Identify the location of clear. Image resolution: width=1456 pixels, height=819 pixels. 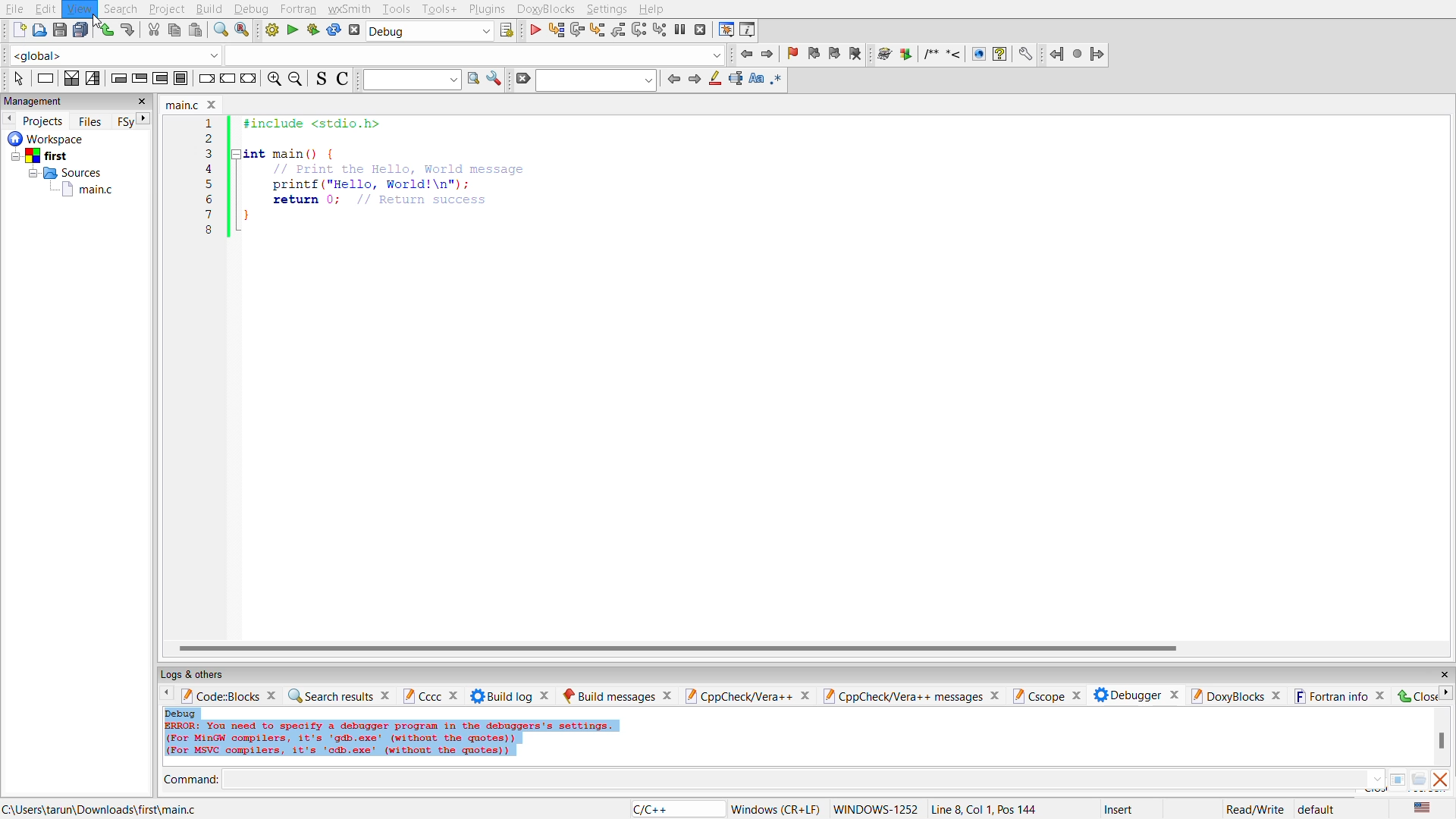
(523, 78).